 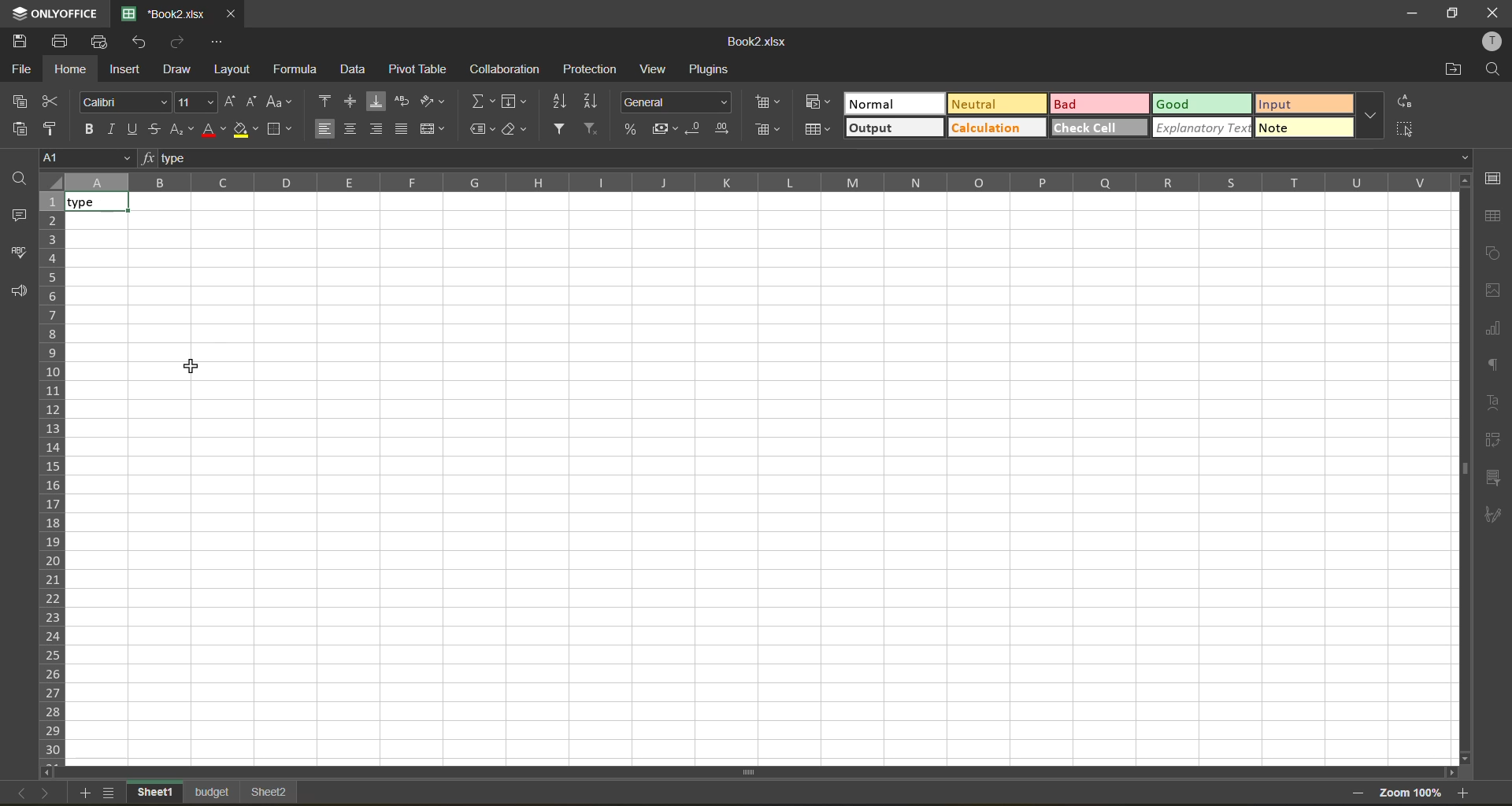 What do you see at coordinates (821, 131) in the screenshot?
I see `format as table` at bounding box center [821, 131].